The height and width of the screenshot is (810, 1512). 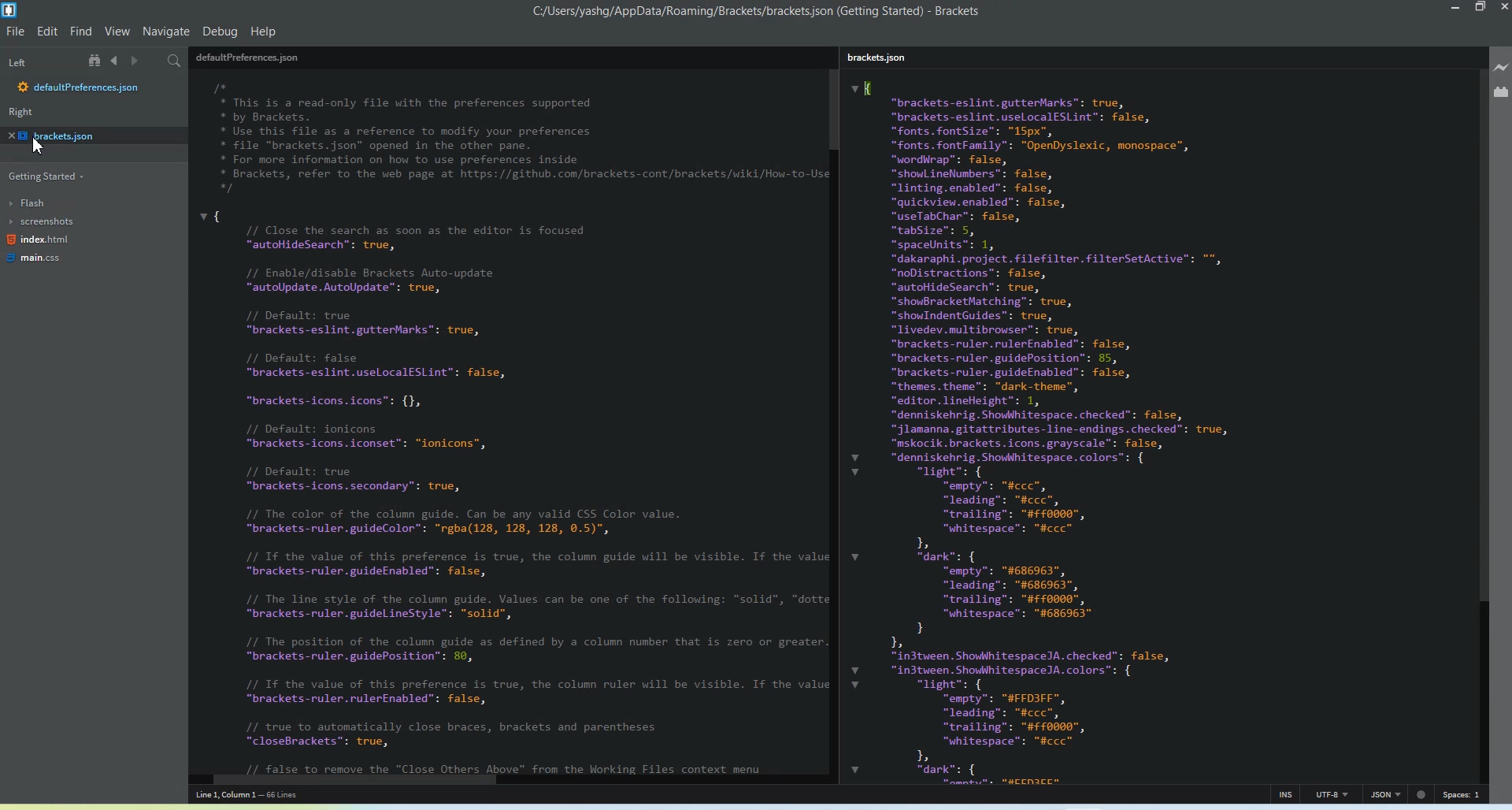 I want to click on Live Preview, so click(x=1501, y=68).